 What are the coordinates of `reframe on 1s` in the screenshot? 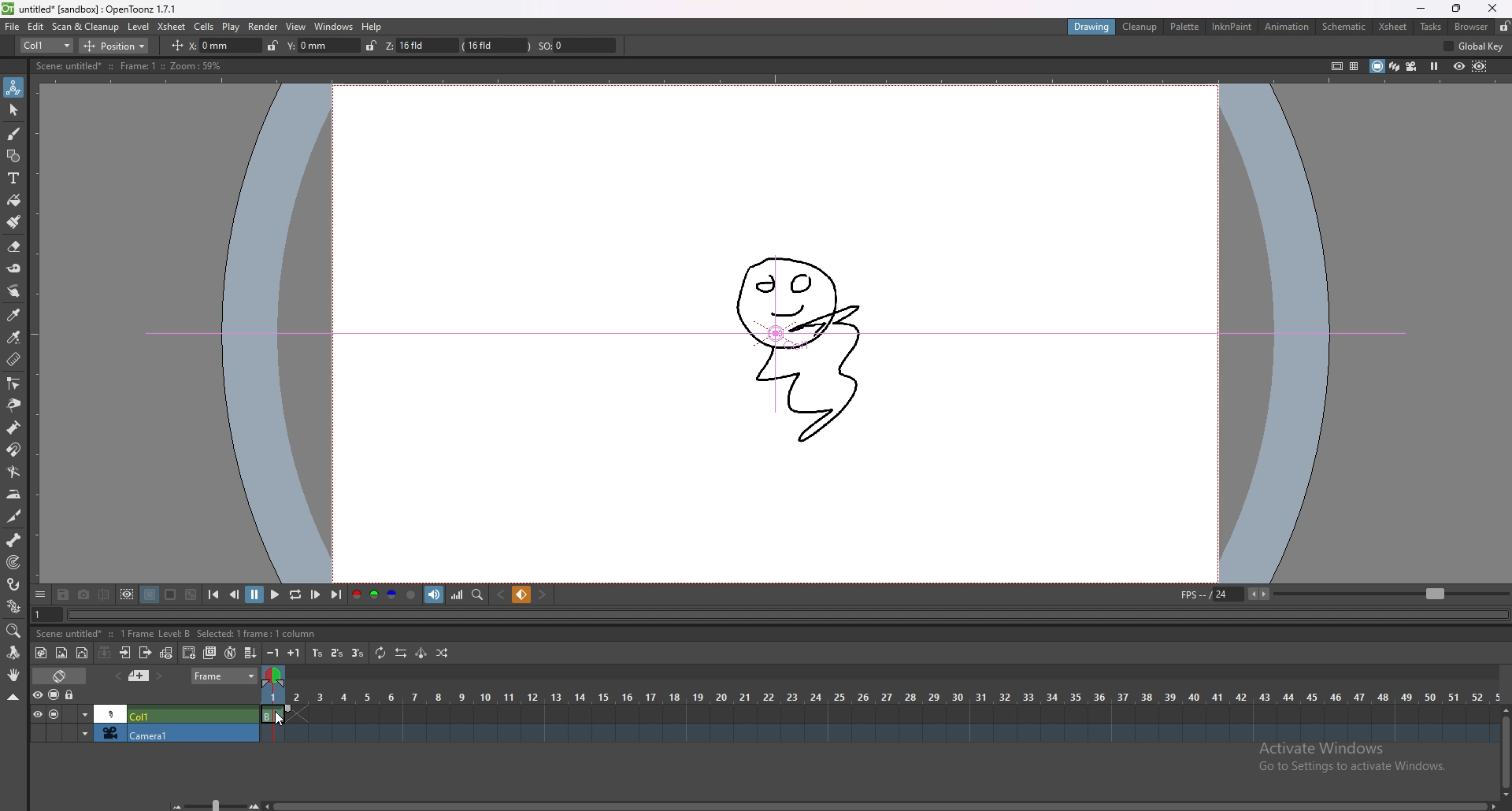 It's located at (317, 654).